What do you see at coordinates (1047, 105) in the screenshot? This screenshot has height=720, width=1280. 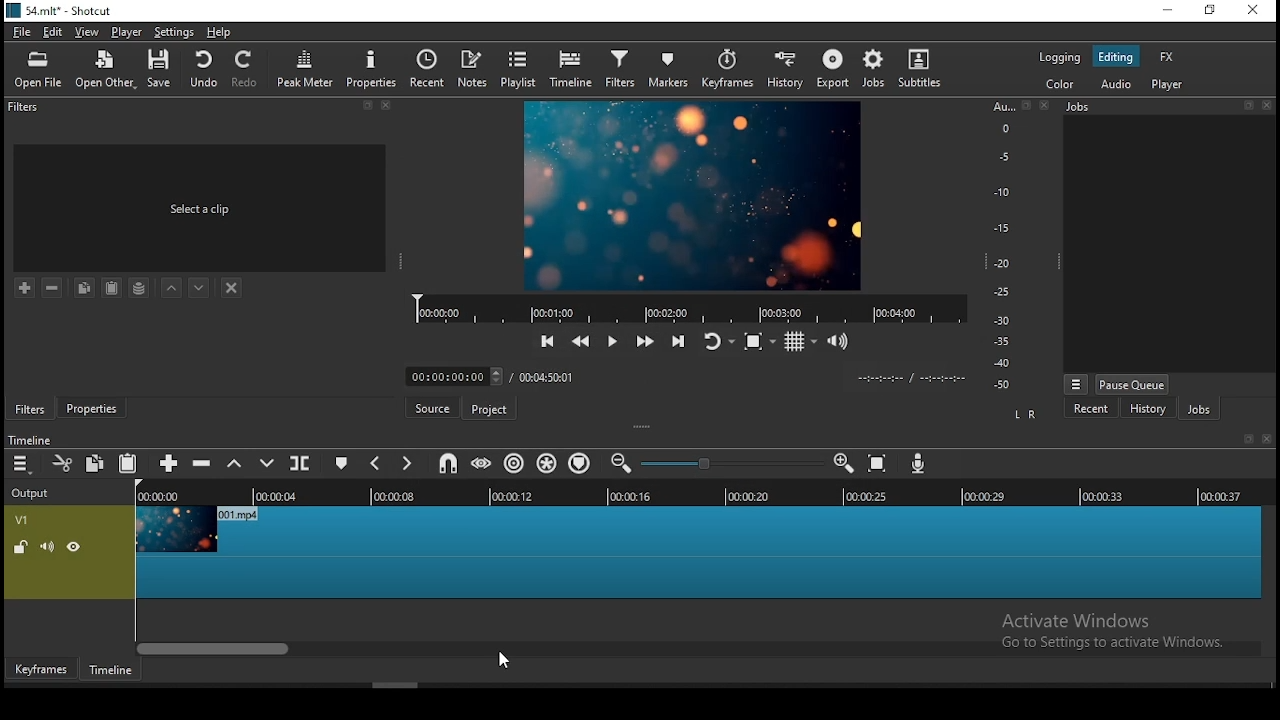 I see `close` at bounding box center [1047, 105].